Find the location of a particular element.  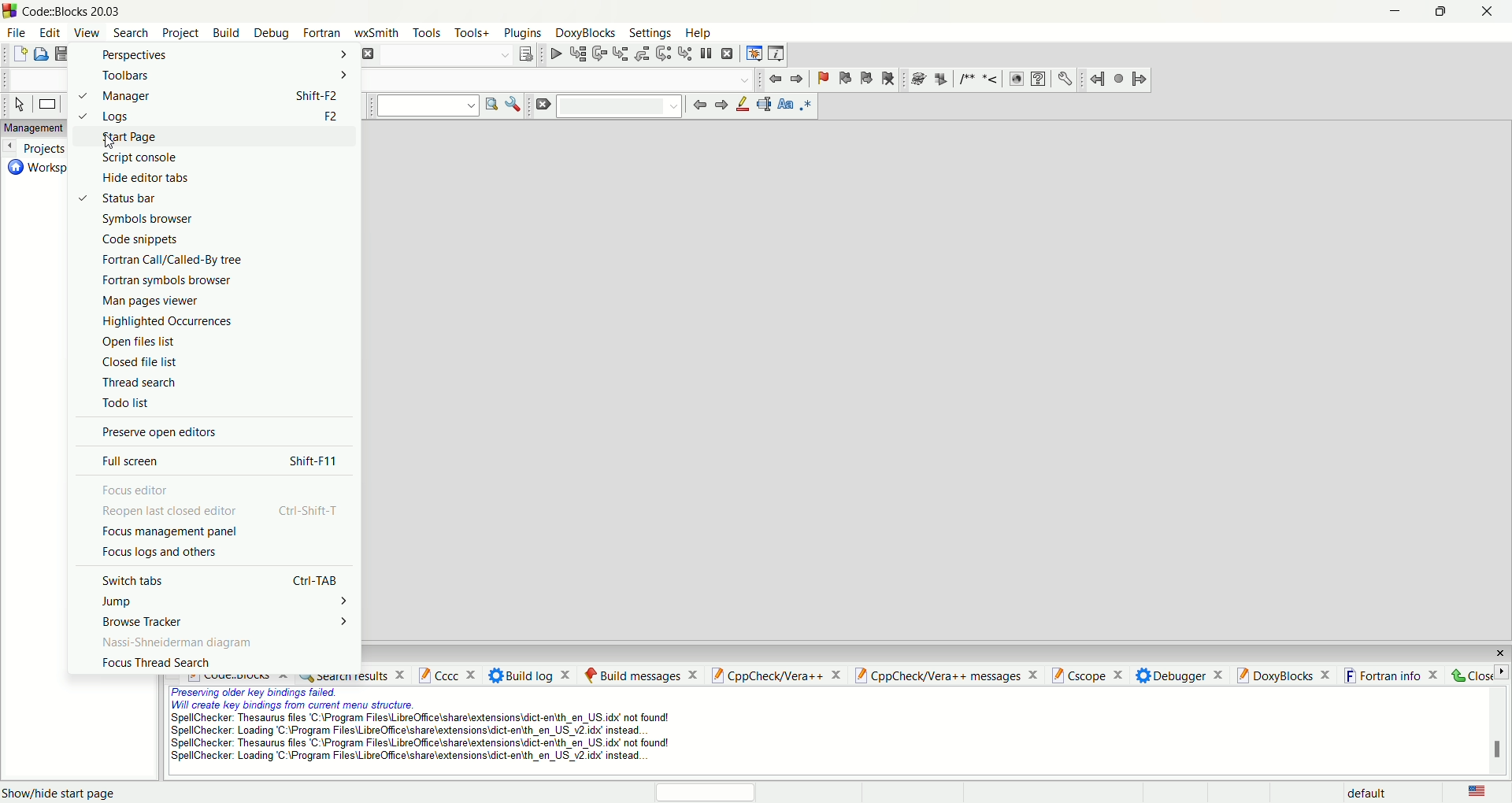

clear bookmark is located at coordinates (887, 79).